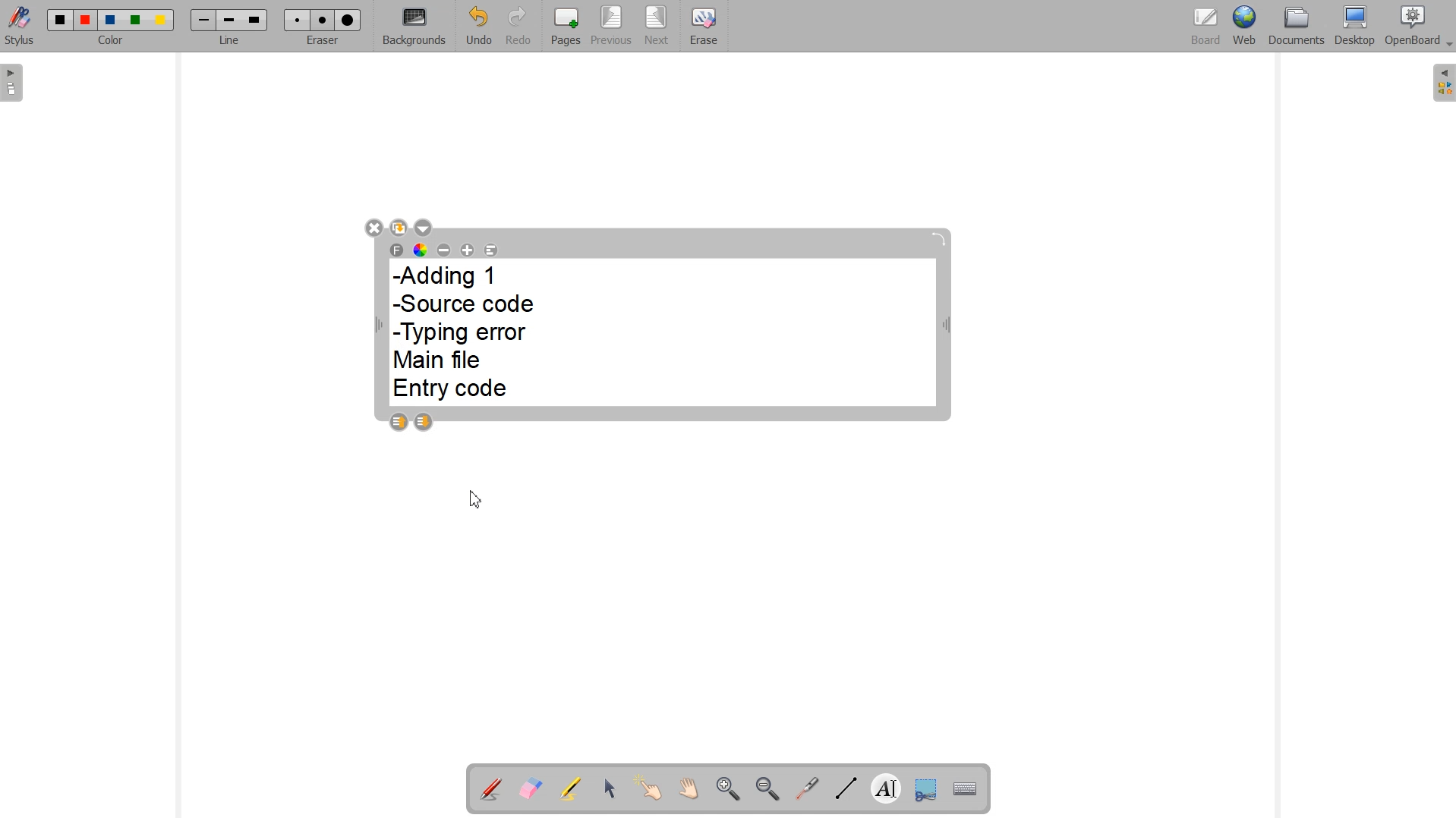 This screenshot has width=1456, height=818. I want to click on Close, so click(373, 227).